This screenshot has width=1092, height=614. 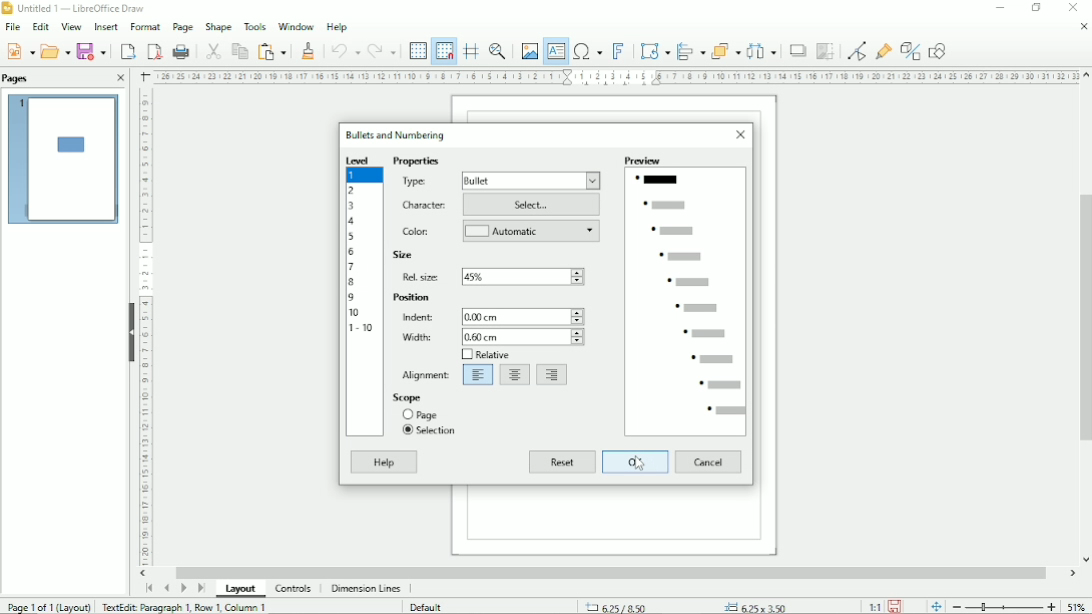 I want to click on Horizontal scale, so click(x=145, y=329).